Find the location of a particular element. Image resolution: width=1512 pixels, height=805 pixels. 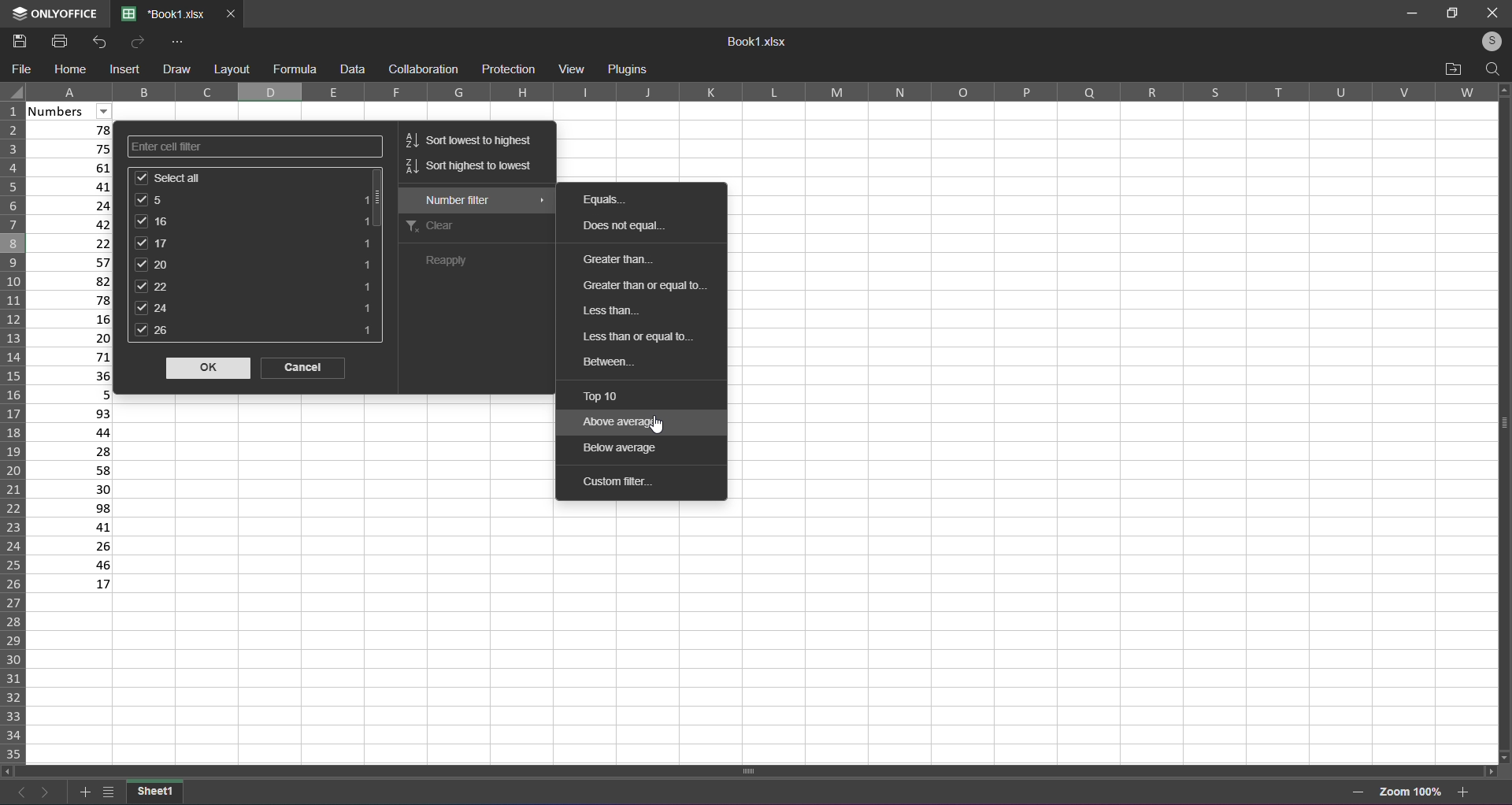

Minimize is located at coordinates (1408, 12).